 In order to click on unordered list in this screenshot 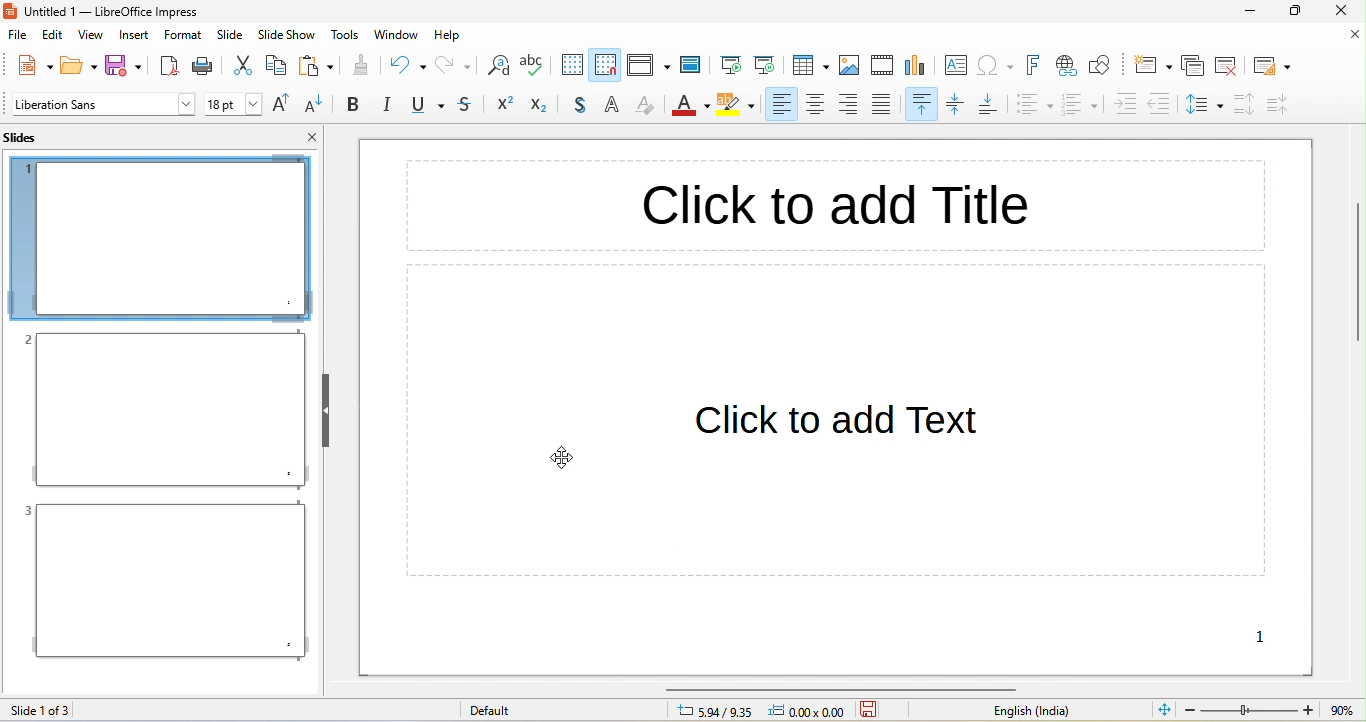, I will do `click(1034, 107)`.